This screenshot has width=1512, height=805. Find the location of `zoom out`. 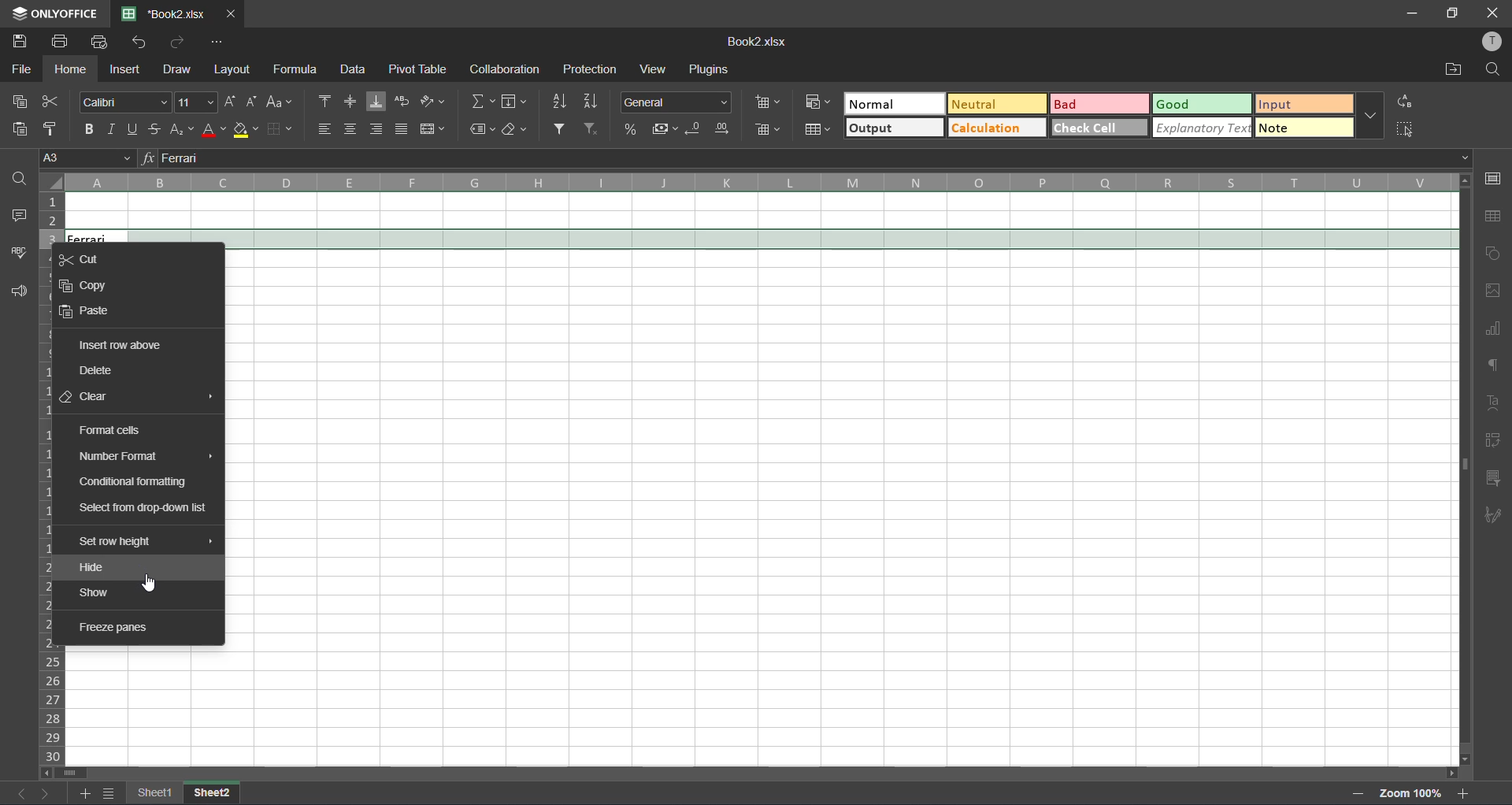

zoom out is located at coordinates (1359, 793).